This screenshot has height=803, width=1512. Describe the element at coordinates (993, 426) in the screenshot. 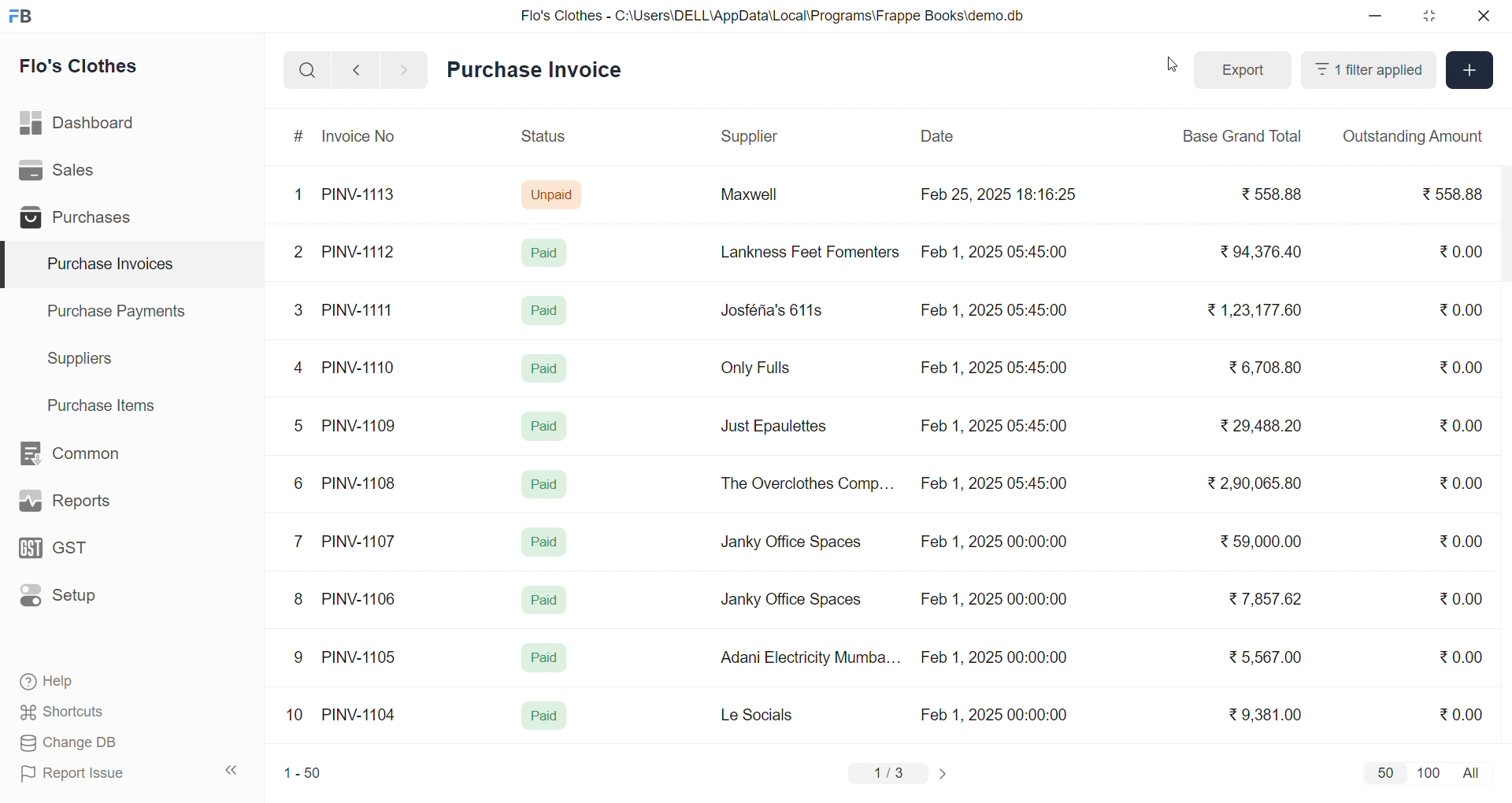

I see `Feb 1, 2025 05:45:00` at that location.